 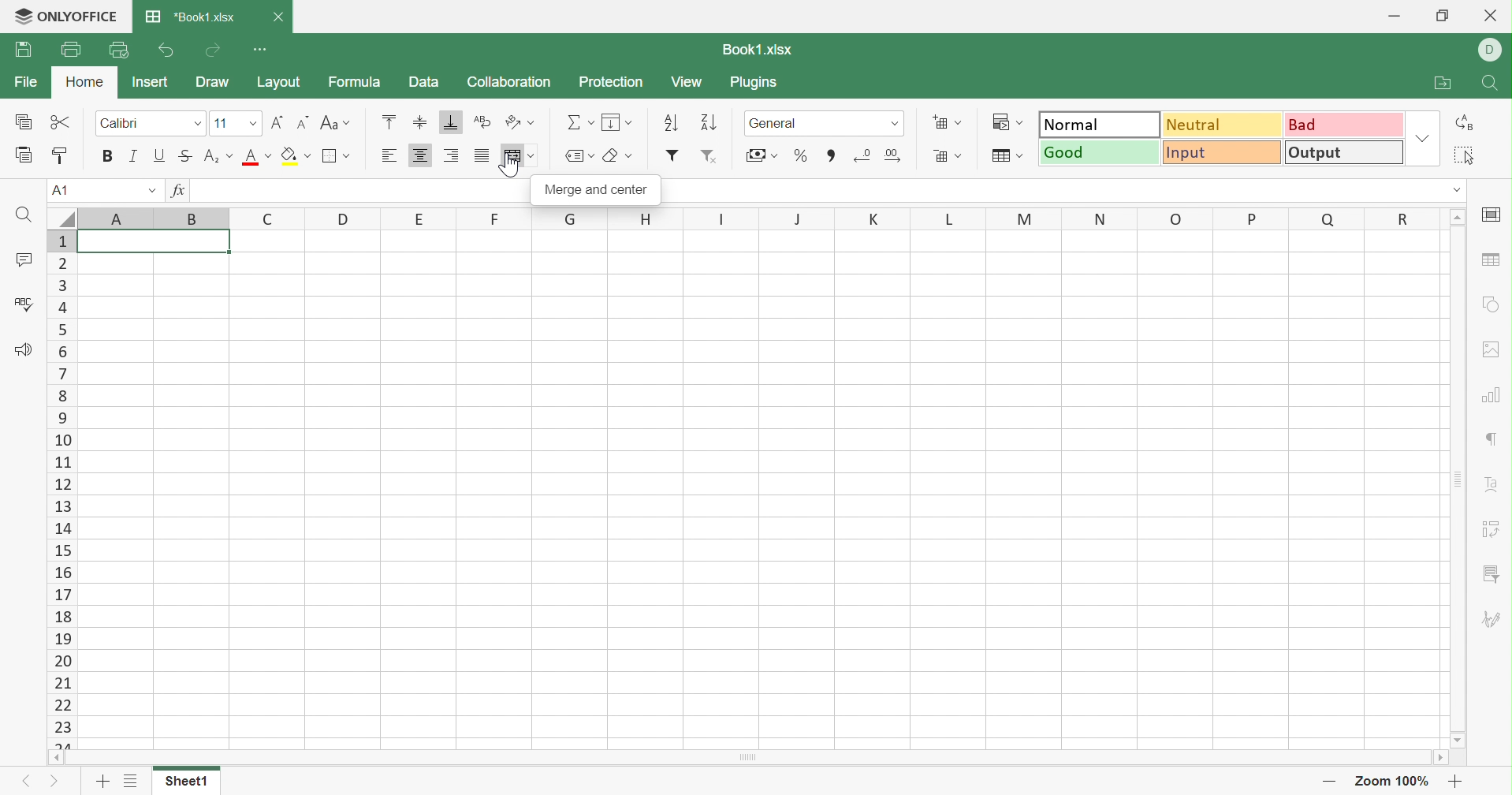 What do you see at coordinates (336, 156) in the screenshot?
I see `Borders` at bounding box center [336, 156].